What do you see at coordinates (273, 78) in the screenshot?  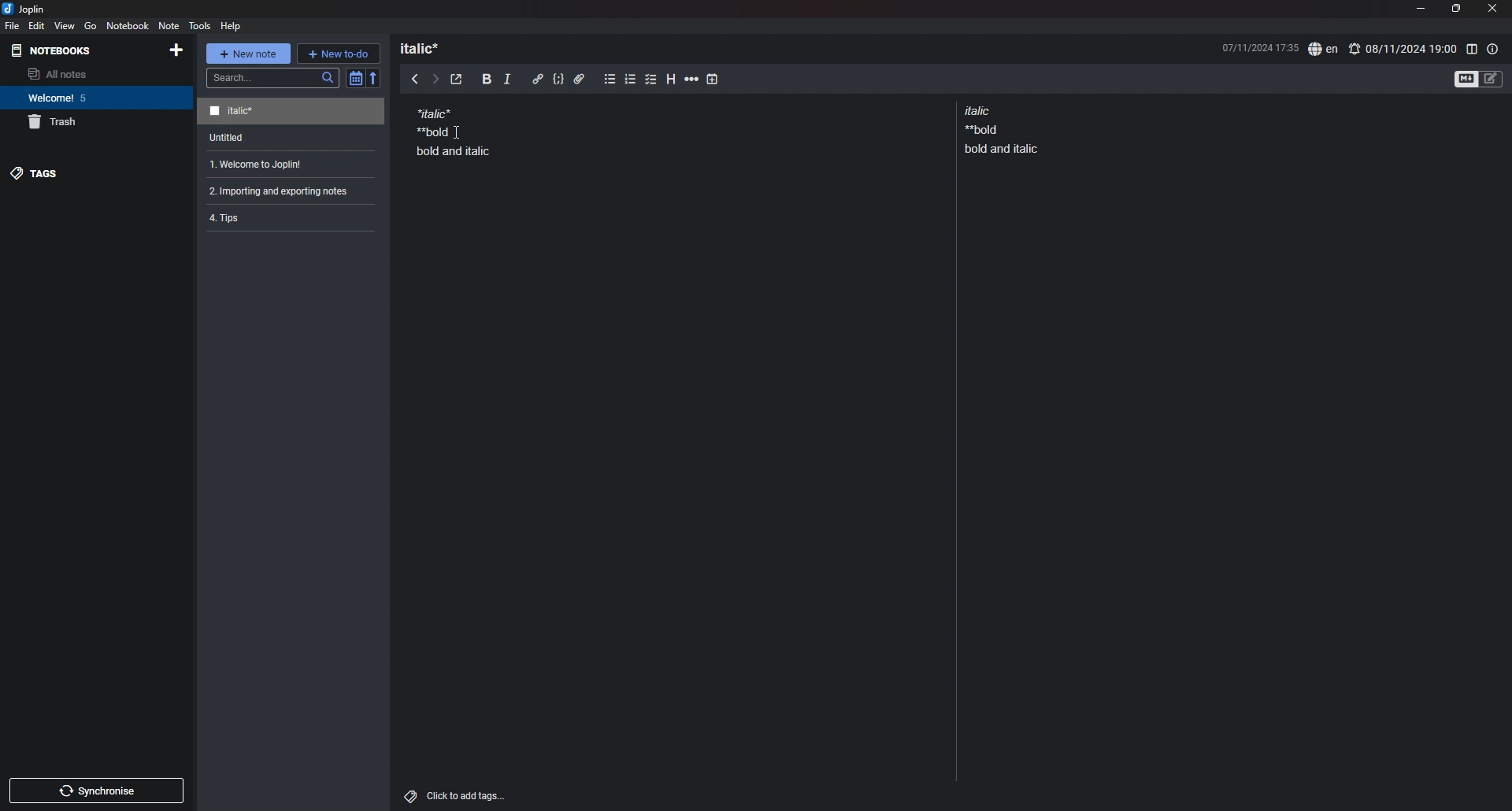 I see `search bar` at bounding box center [273, 78].